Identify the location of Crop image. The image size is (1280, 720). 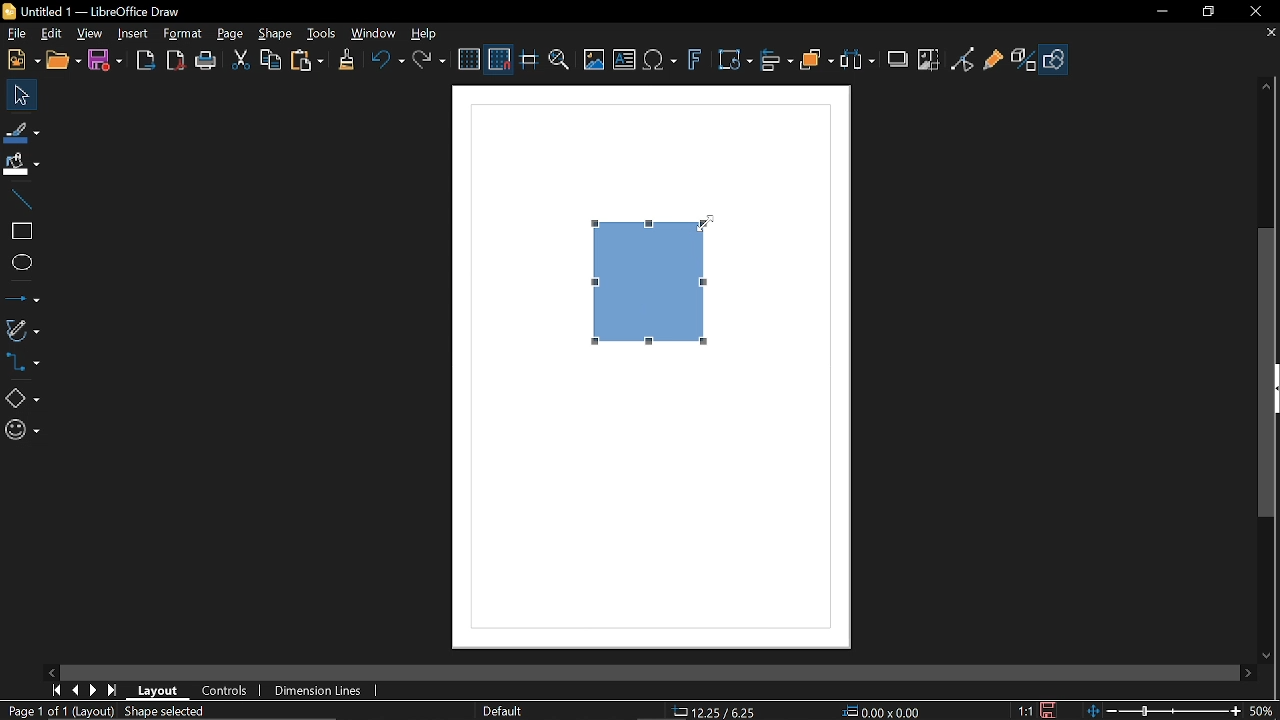
(929, 62).